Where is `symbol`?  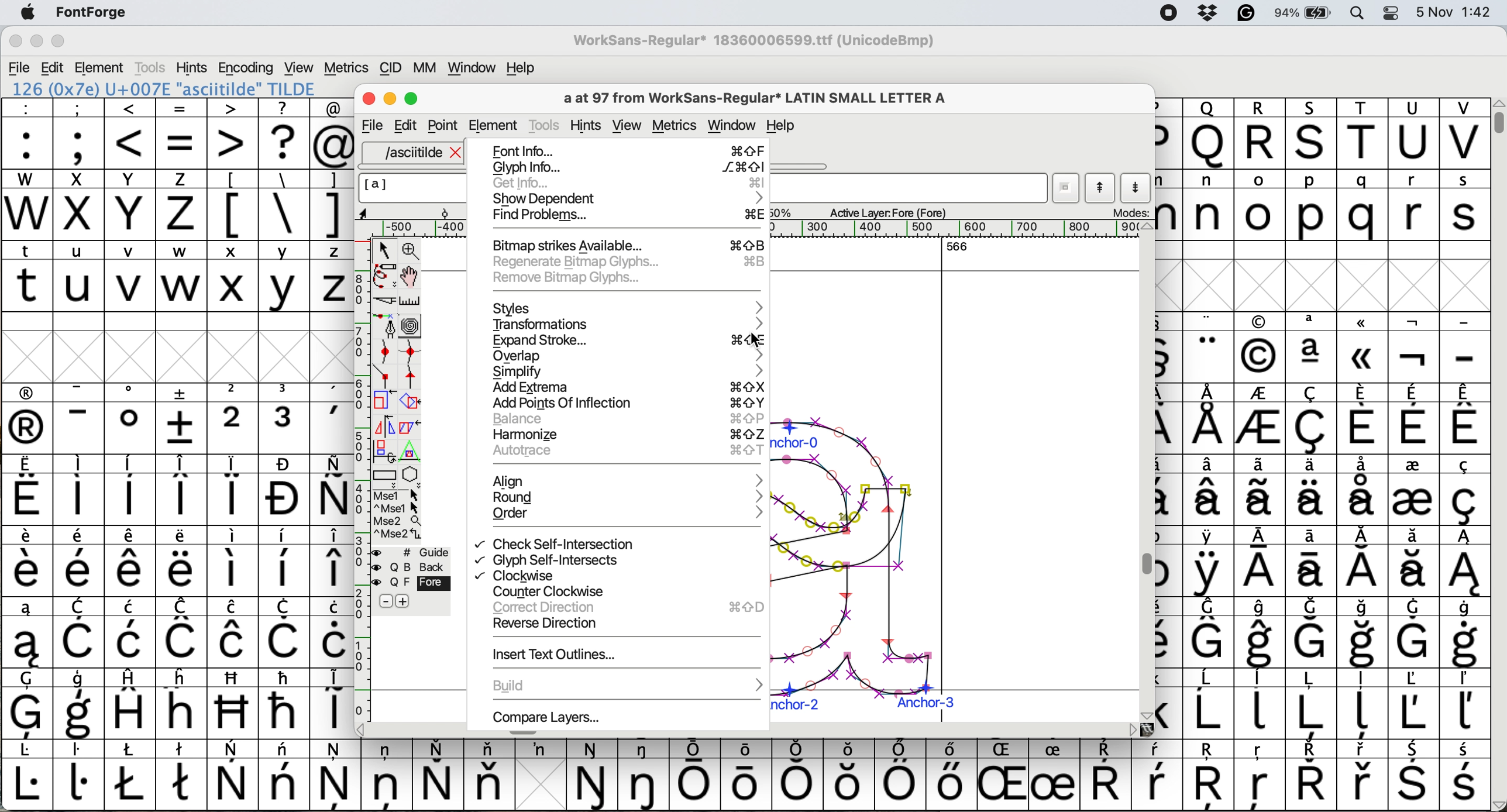 symbol is located at coordinates (130, 418).